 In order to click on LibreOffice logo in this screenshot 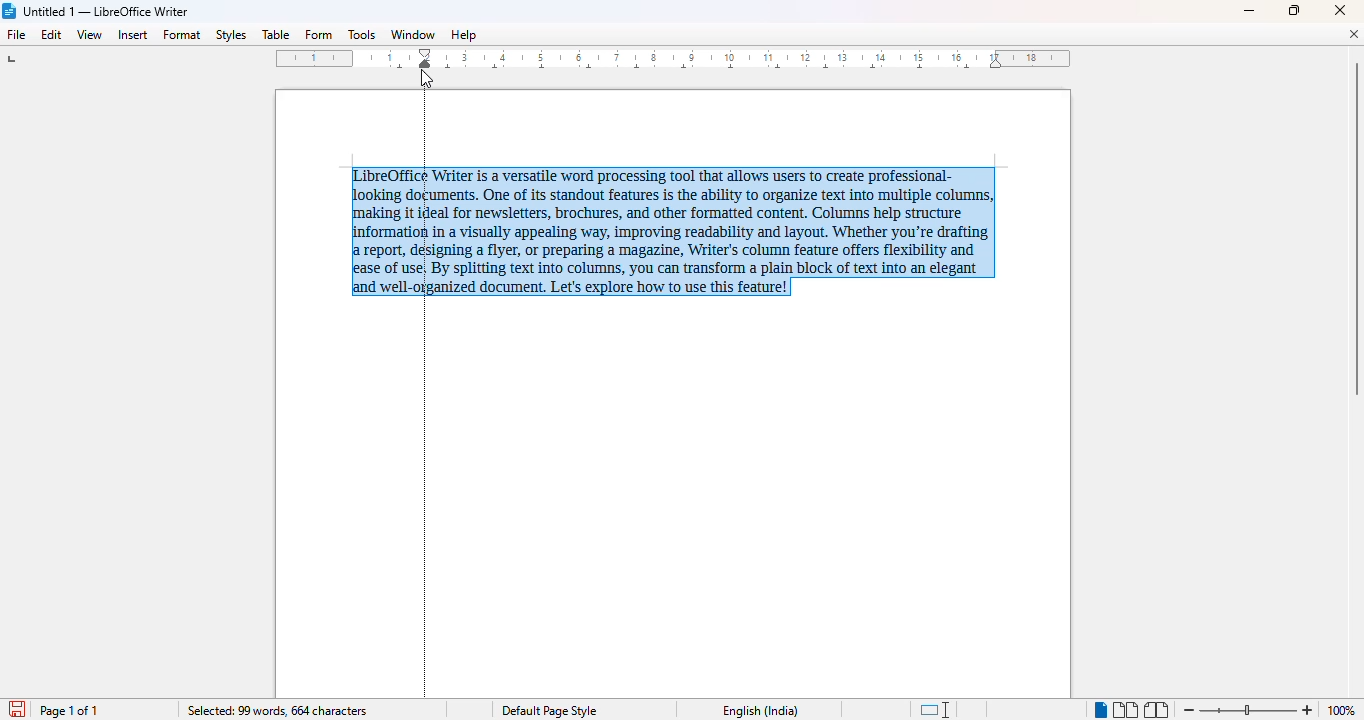, I will do `click(10, 11)`.